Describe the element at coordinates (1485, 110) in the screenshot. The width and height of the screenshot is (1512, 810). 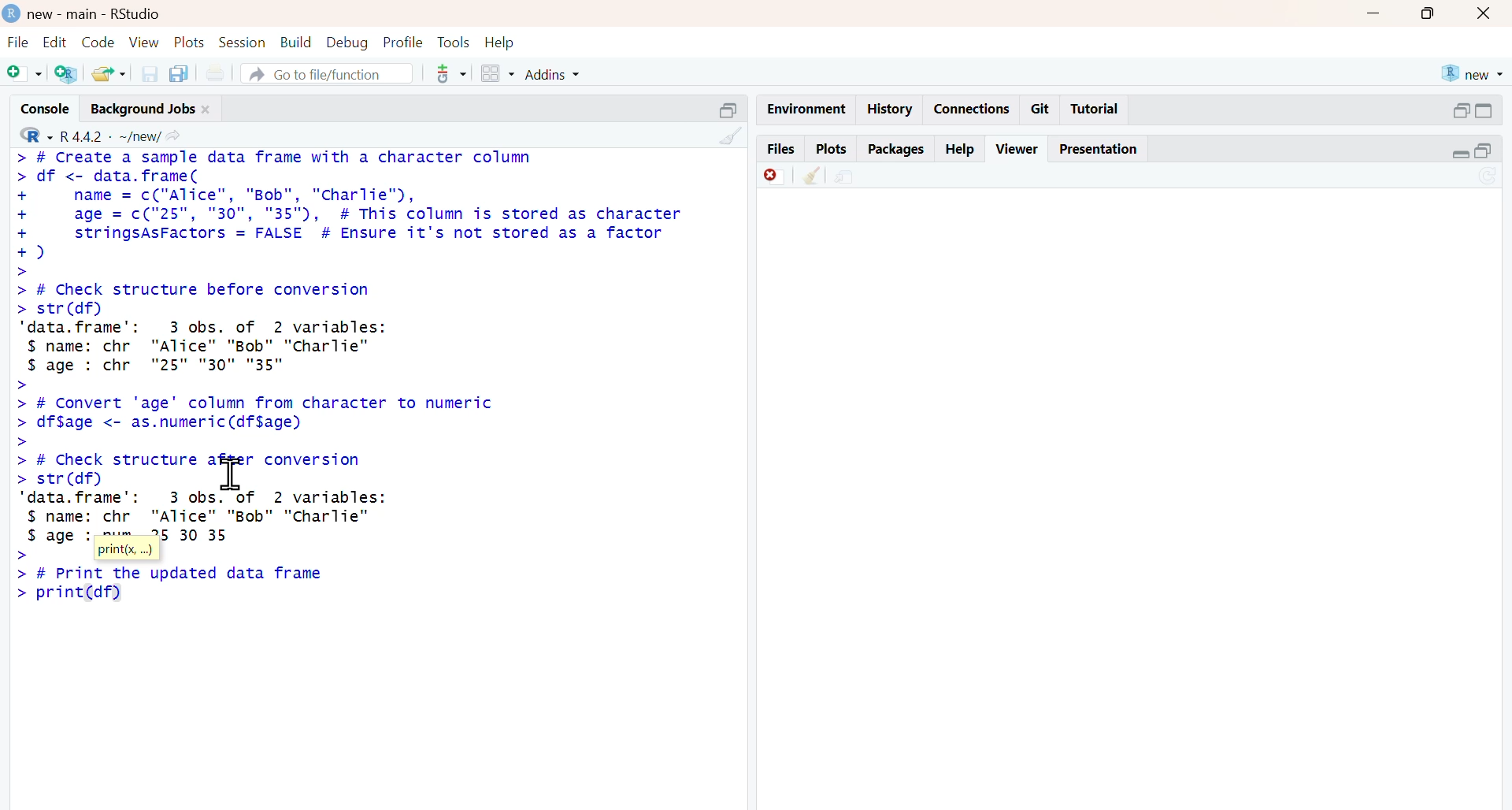
I see `expand/collapse` at that location.